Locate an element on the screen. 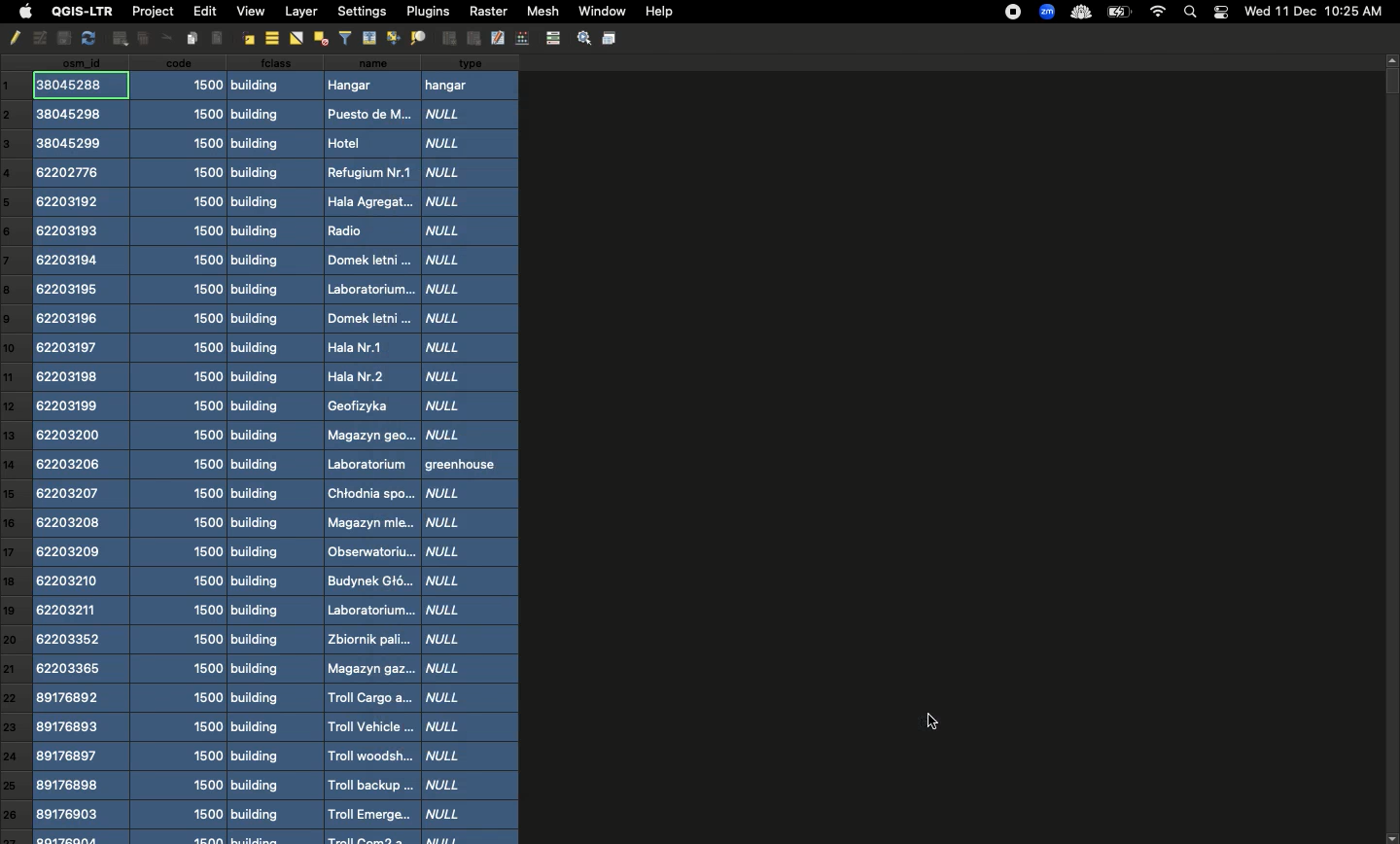  Mesh is located at coordinates (540, 11).